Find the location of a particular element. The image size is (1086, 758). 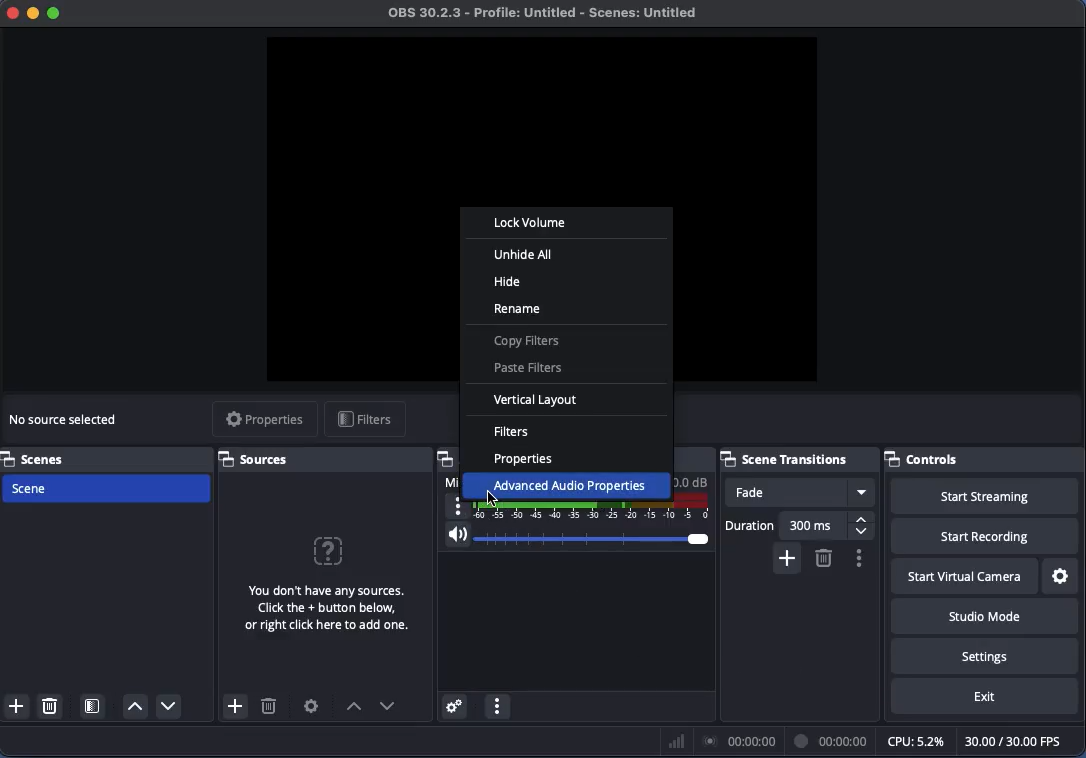

Mic/Aux is located at coordinates (595, 507).